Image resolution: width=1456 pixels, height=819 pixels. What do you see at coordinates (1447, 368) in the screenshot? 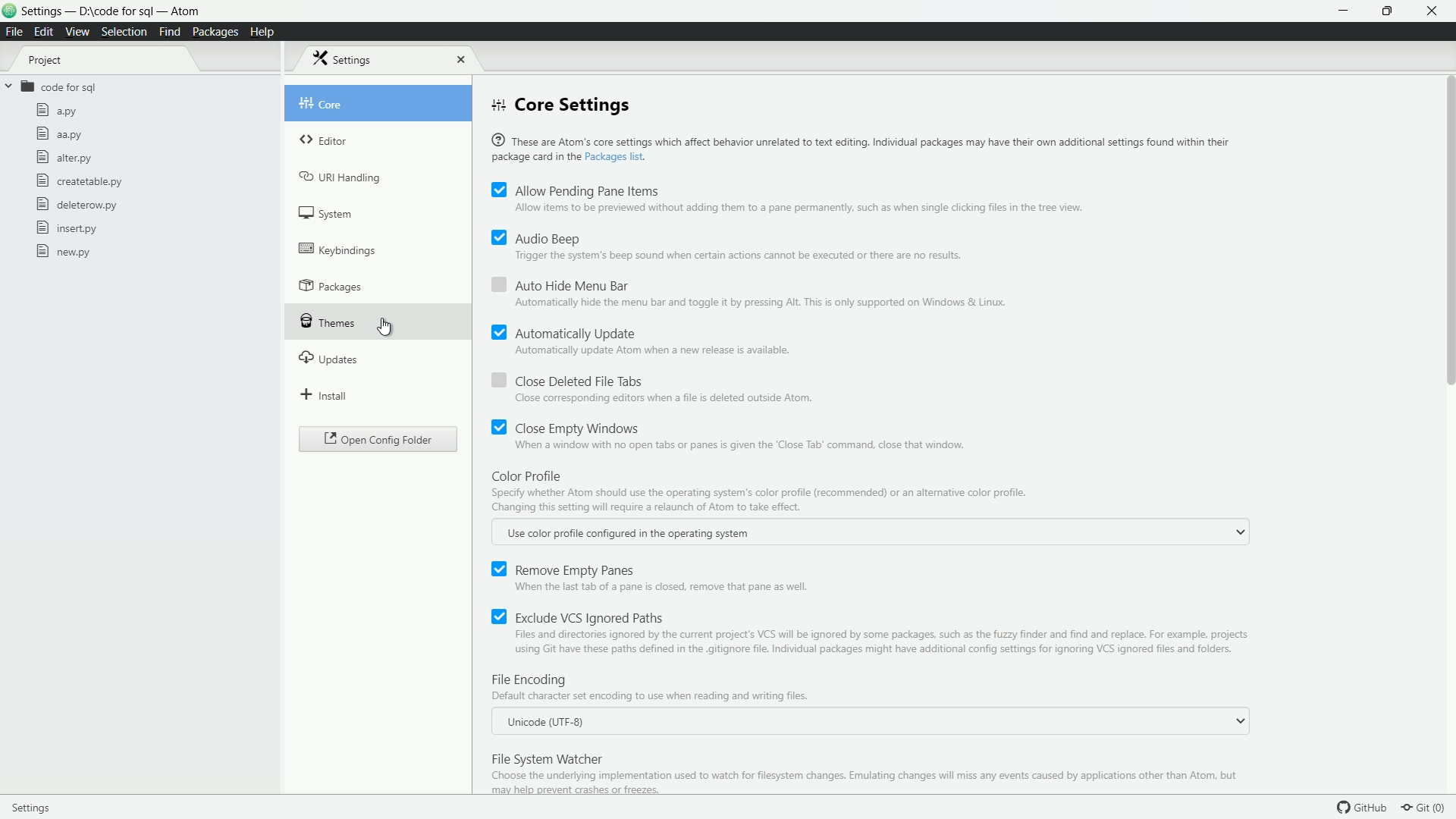
I see `scroll bar` at bounding box center [1447, 368].